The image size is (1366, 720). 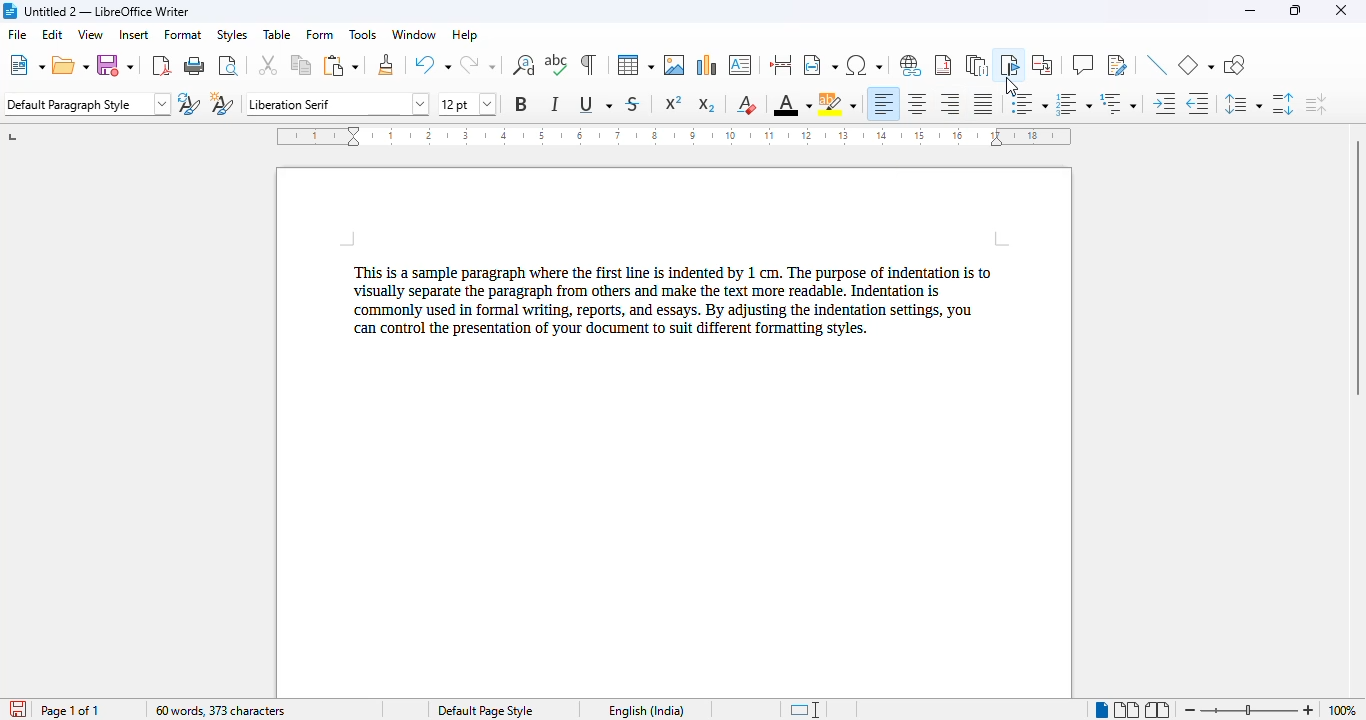 I want to click on redo, so click(x=477, y=64).